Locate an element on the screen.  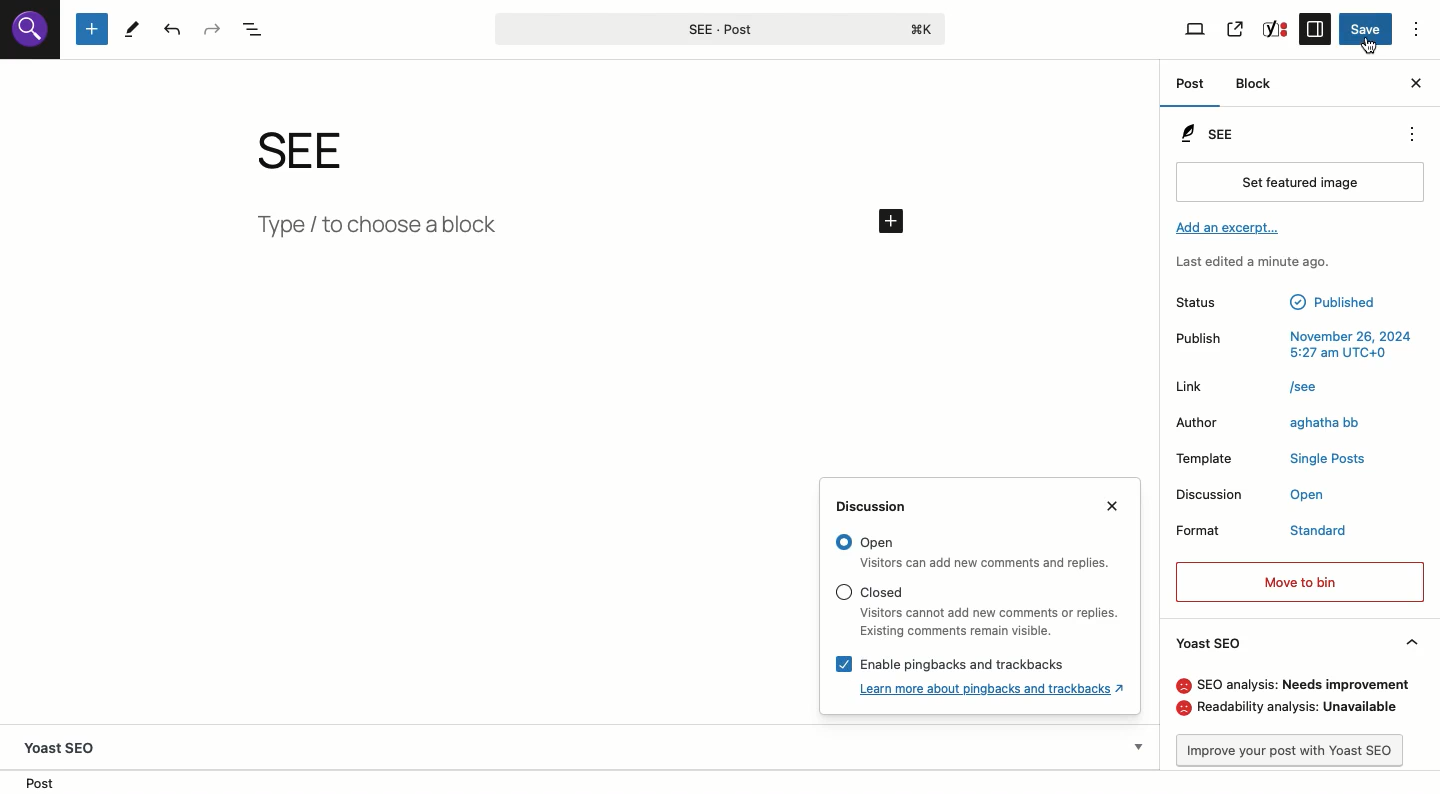
see options is located at coordinates (1407, 131).